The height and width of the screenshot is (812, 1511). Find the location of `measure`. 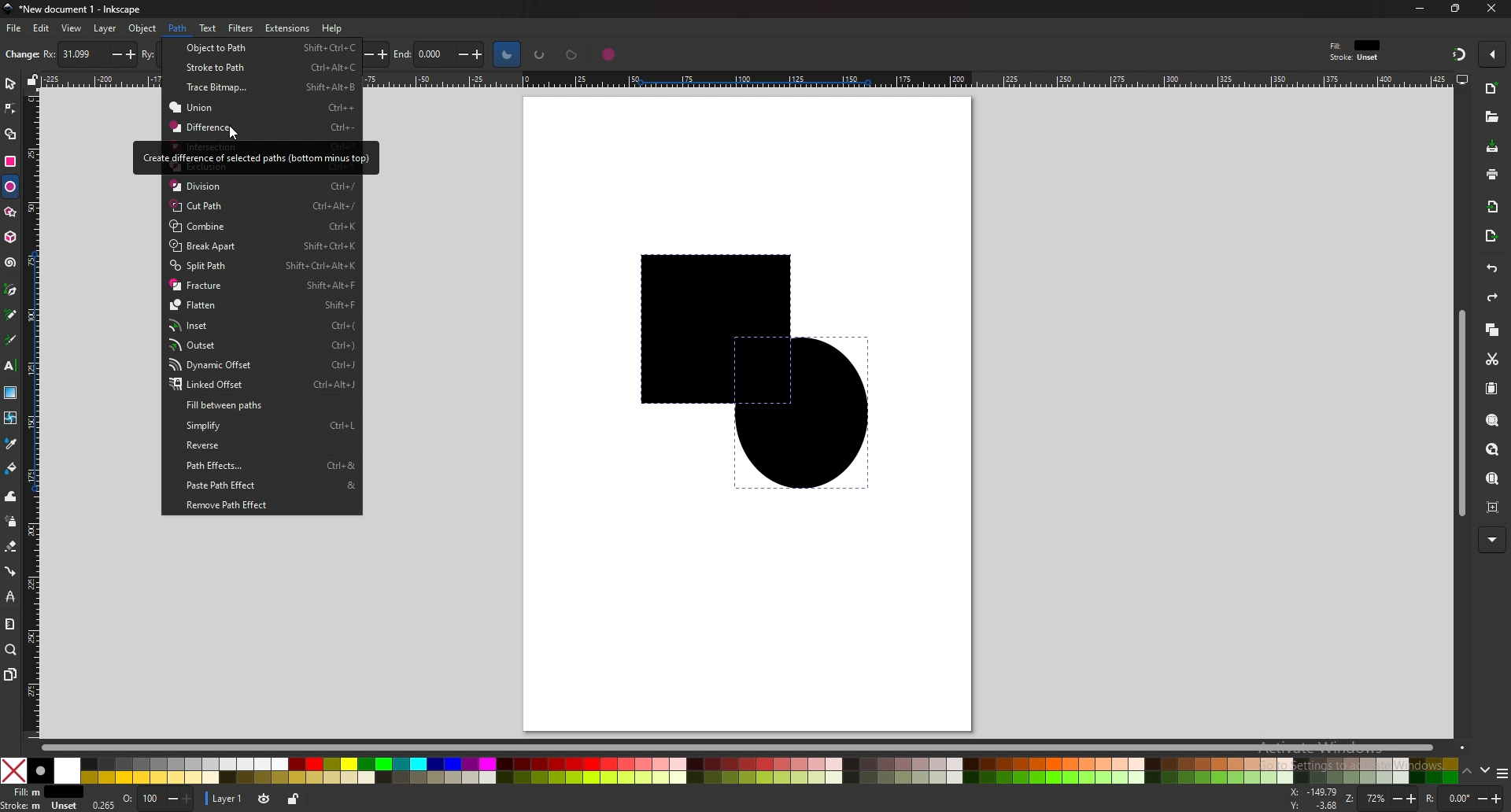

measure is located at coordinates (11, 625).